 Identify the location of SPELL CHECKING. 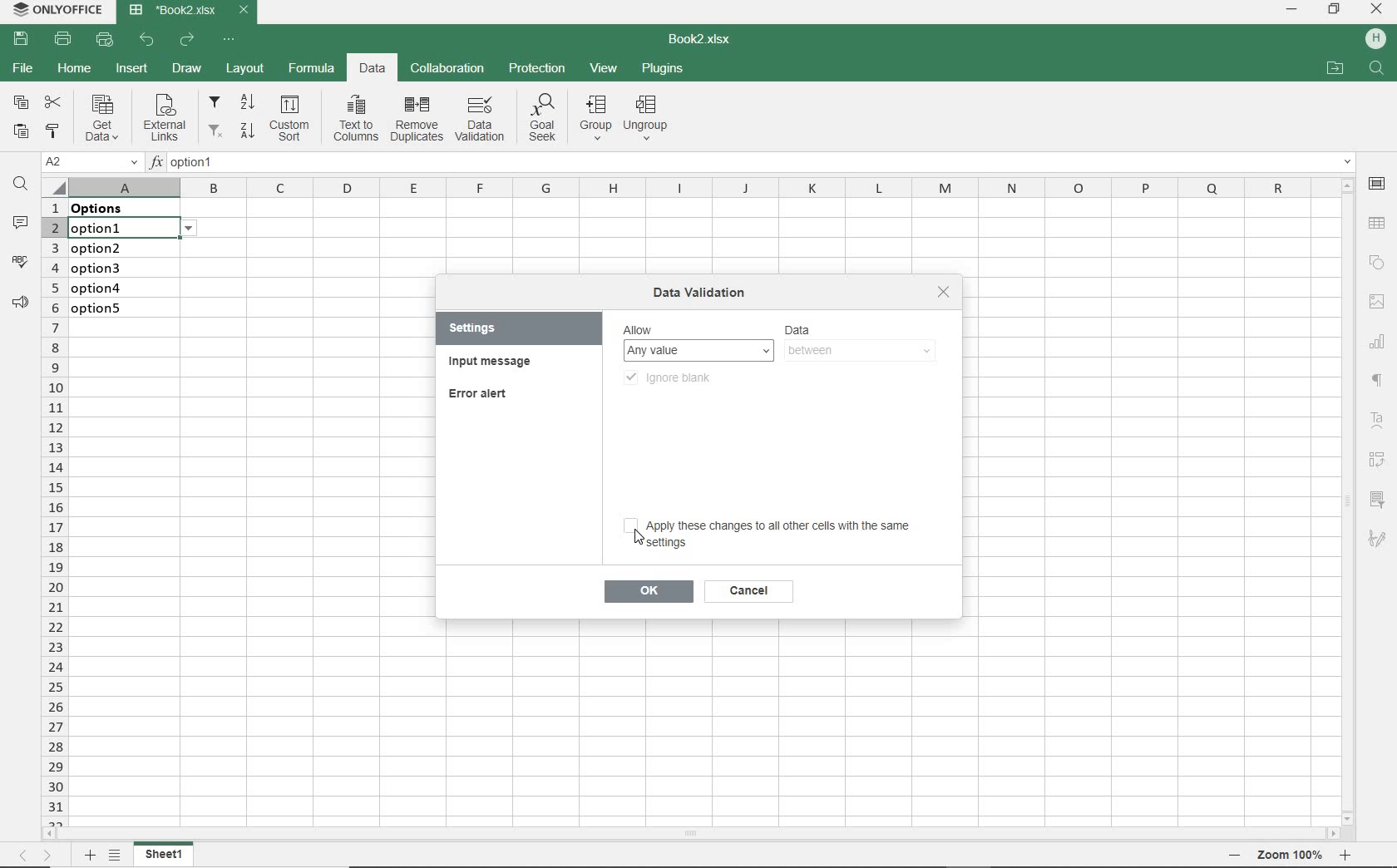
(17, 259).